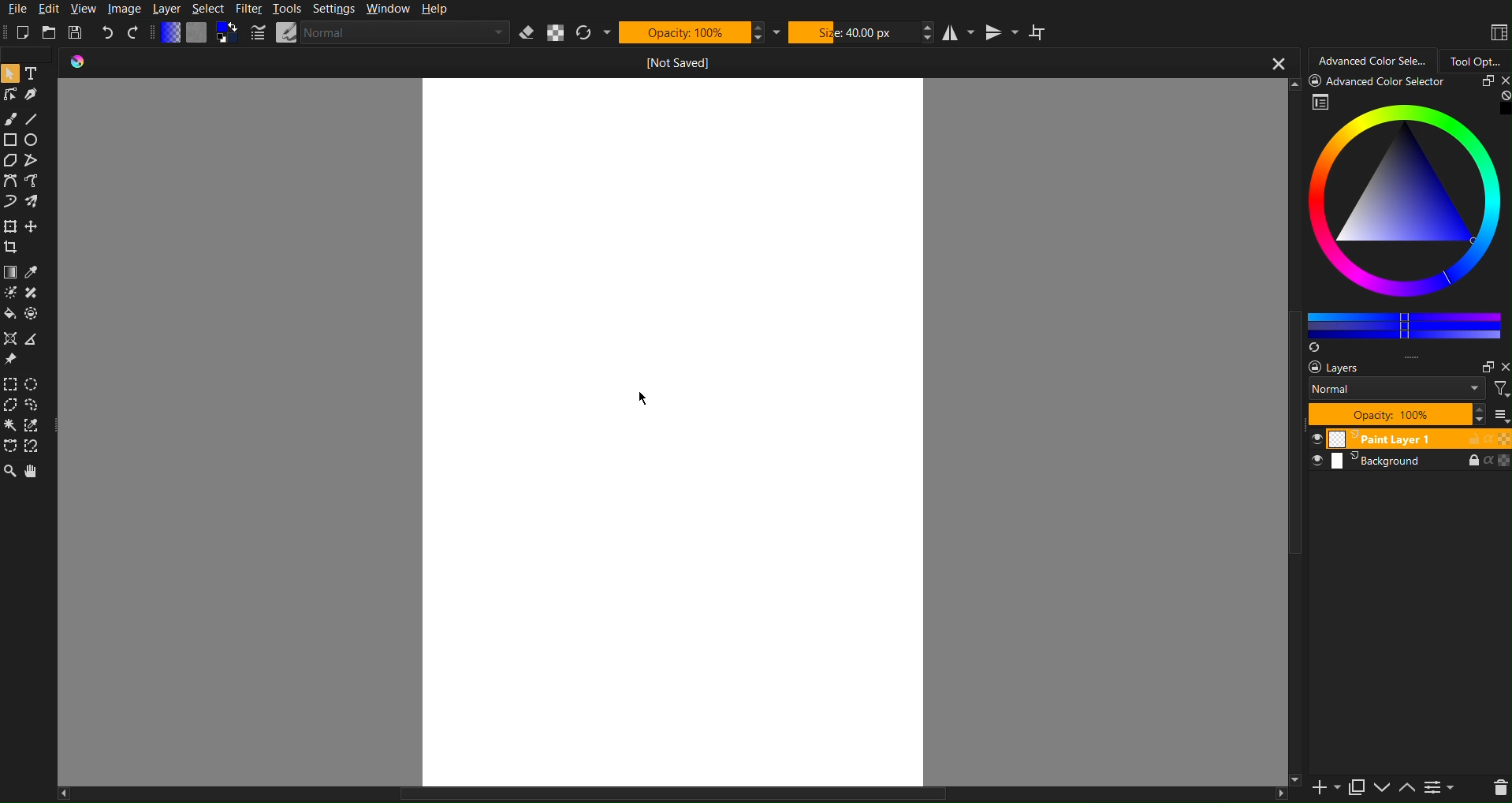 Image resolution: width=1512 pixels, height=803 pixels. I want to click on paint layer 1, so click(1375, 440).